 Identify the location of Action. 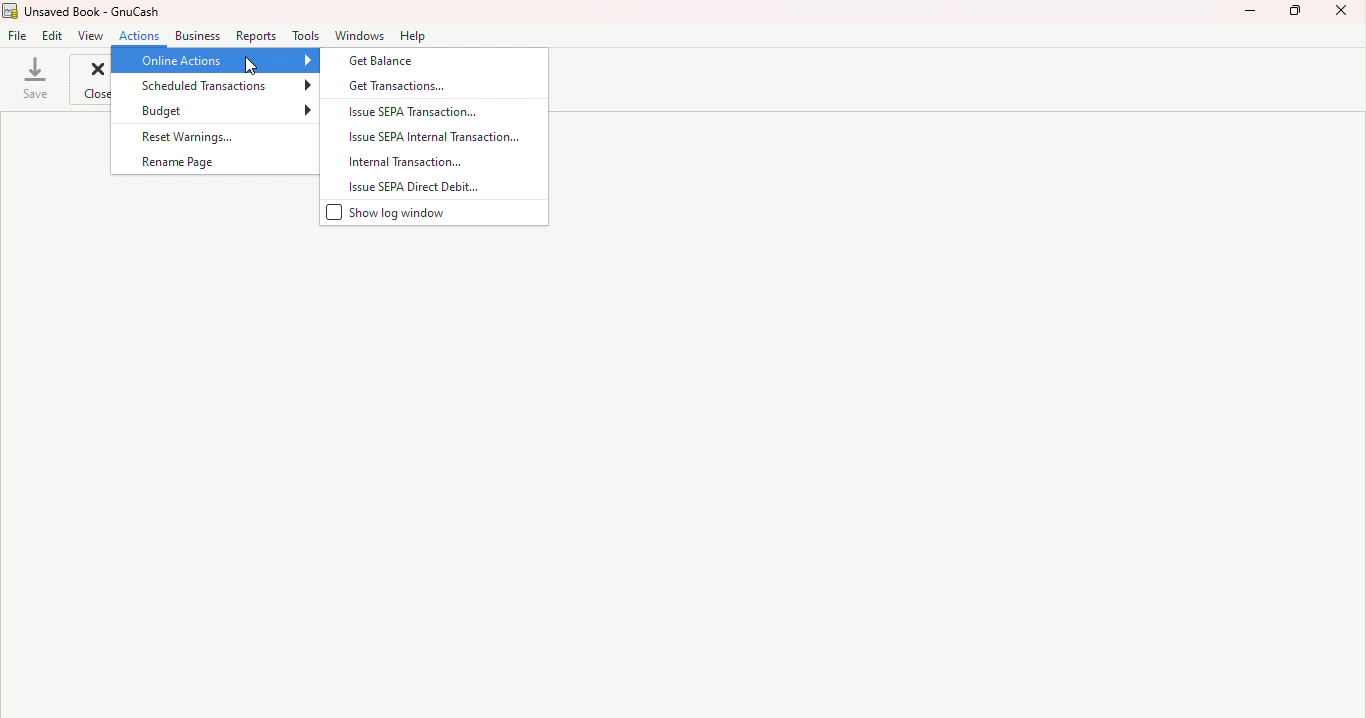
(143, 35).